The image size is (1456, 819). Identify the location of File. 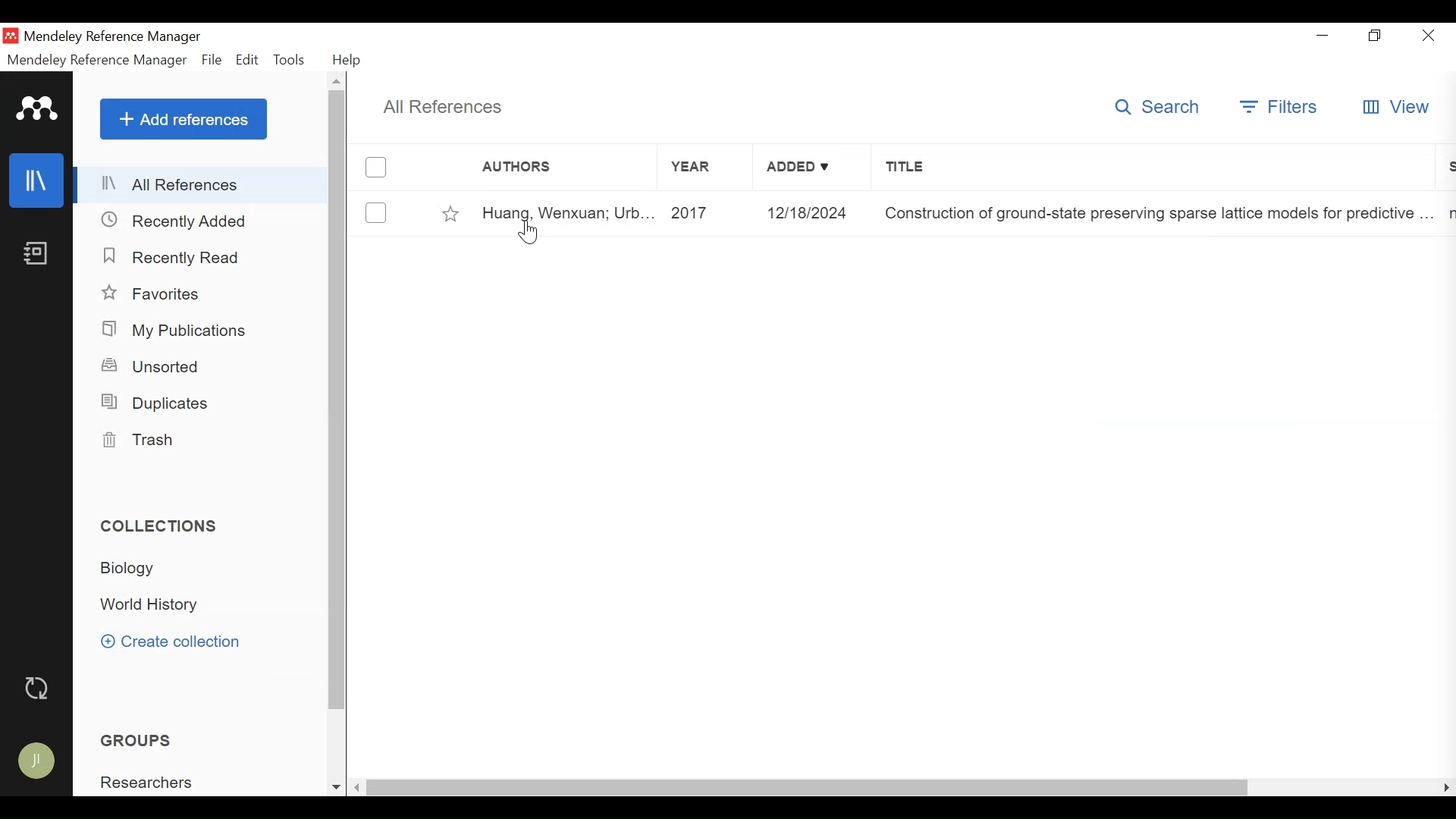
(212, 60).